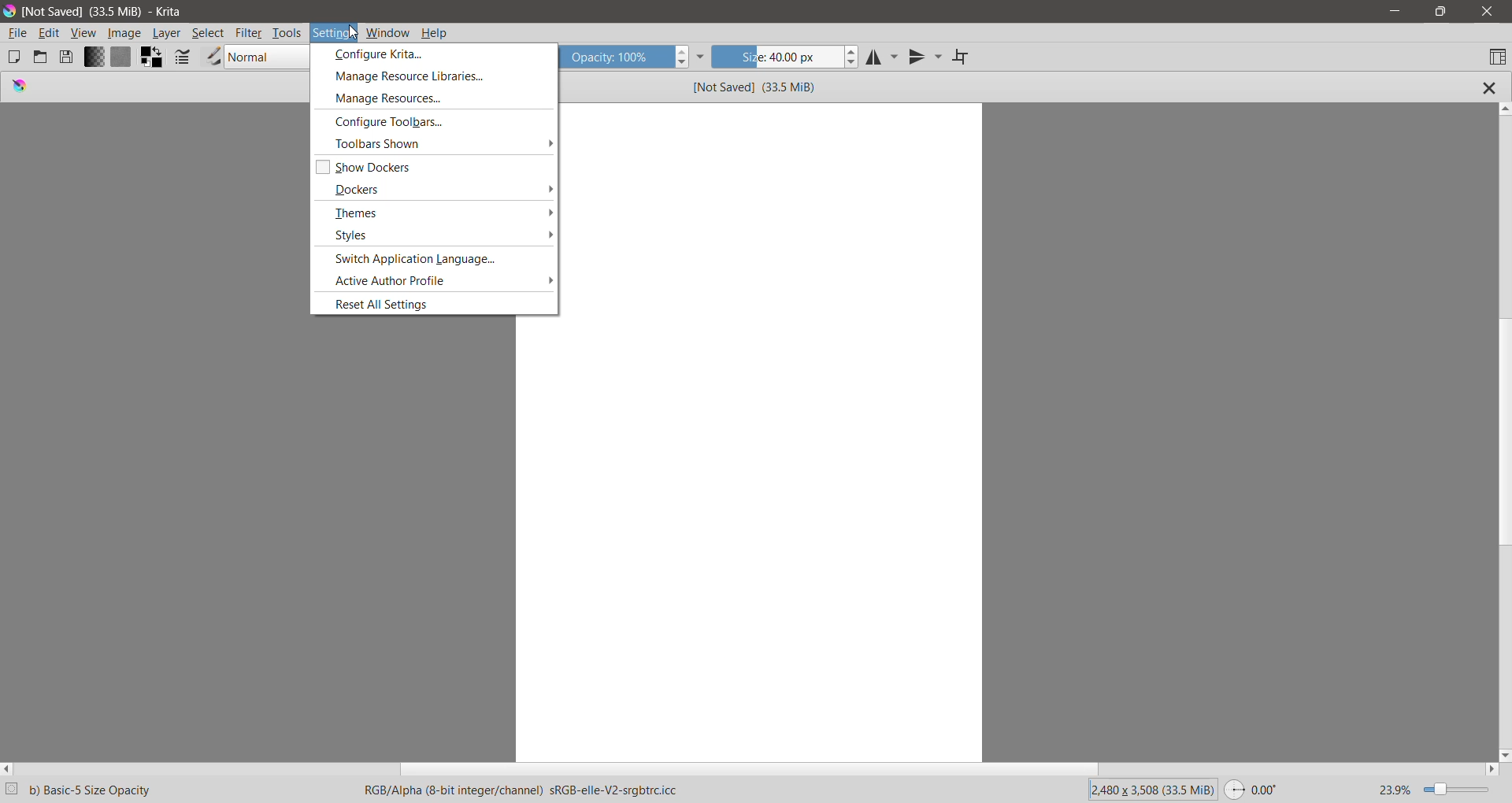 This screenshot has width=1512, height=803. Describe the element at coordinates (84, 33) in the screenshot. I see `View` at that location.